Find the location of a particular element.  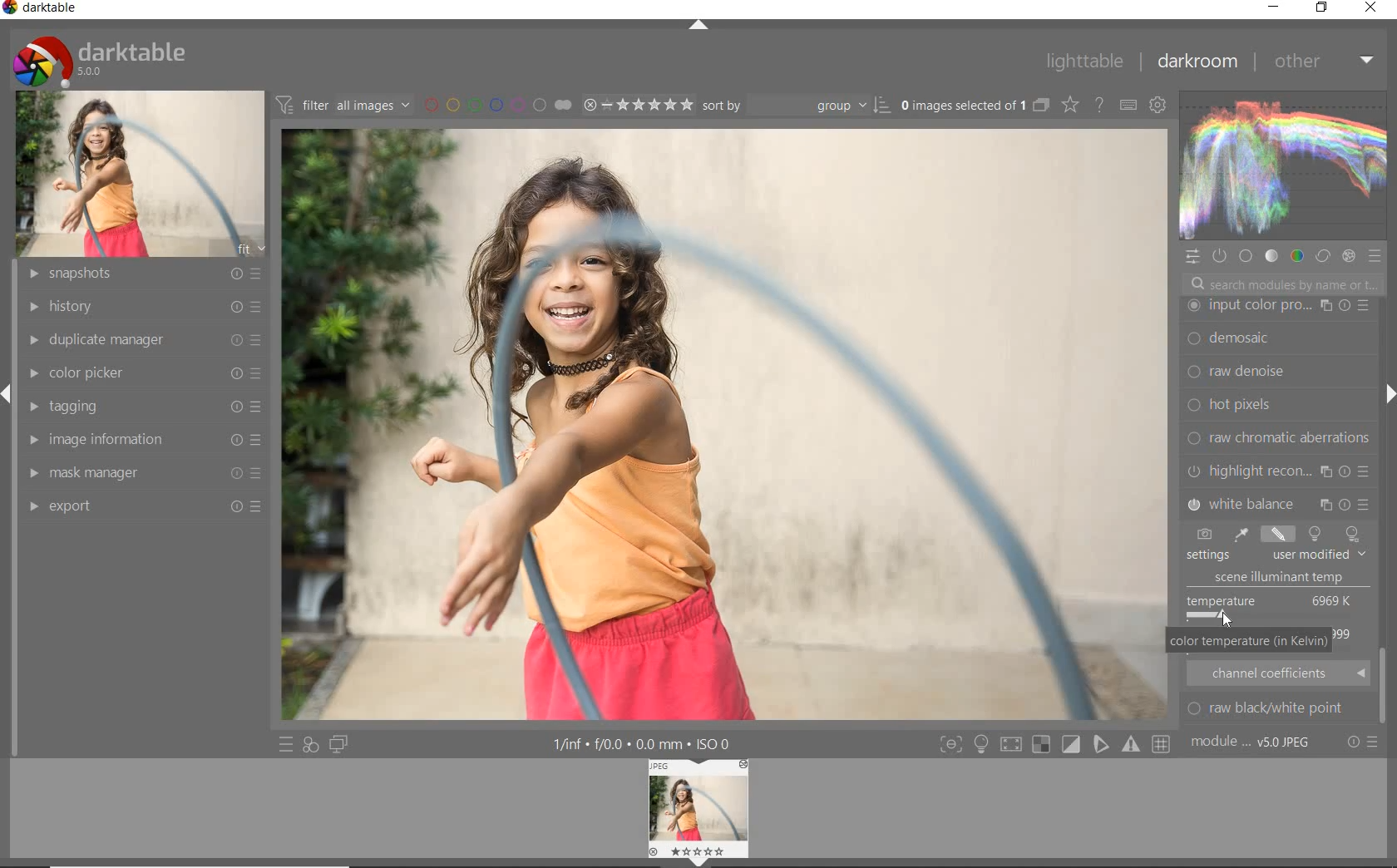

CURSOR POSITION is located at coordinates (1225, 614).